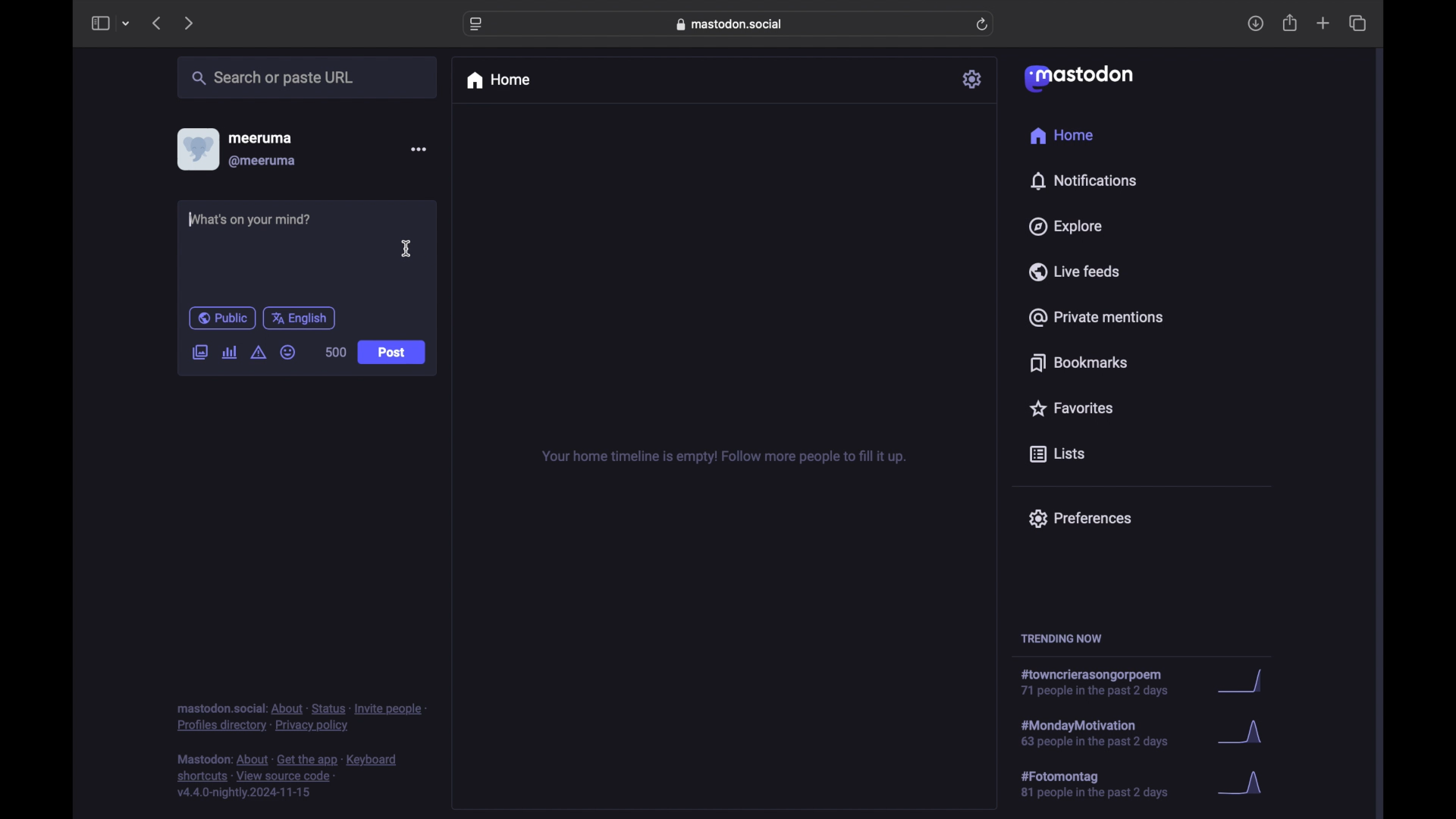  I want to click on footnote, so click(287, 777).